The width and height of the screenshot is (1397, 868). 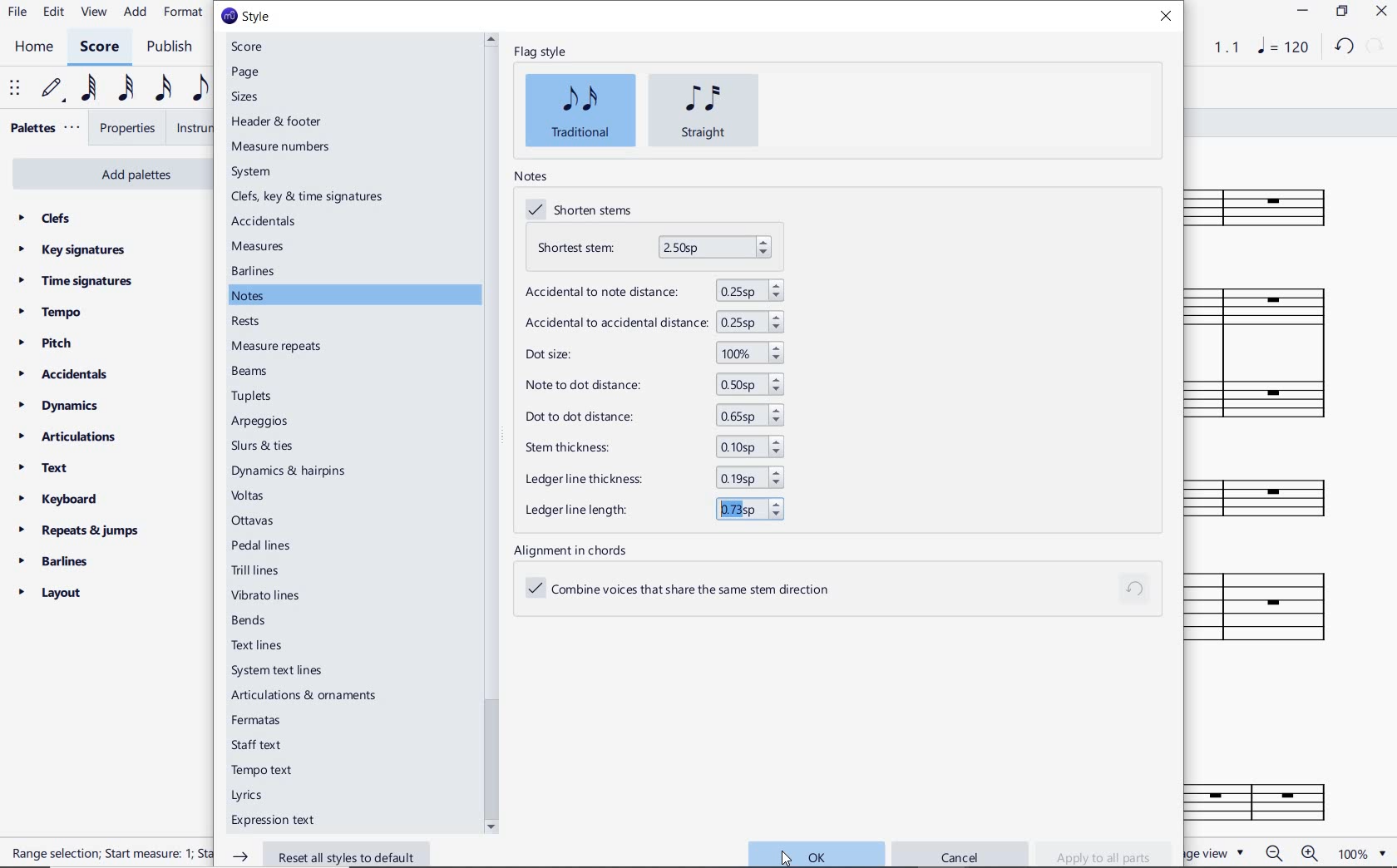 I want to click on arpeggios, so click(x=289, y=422).